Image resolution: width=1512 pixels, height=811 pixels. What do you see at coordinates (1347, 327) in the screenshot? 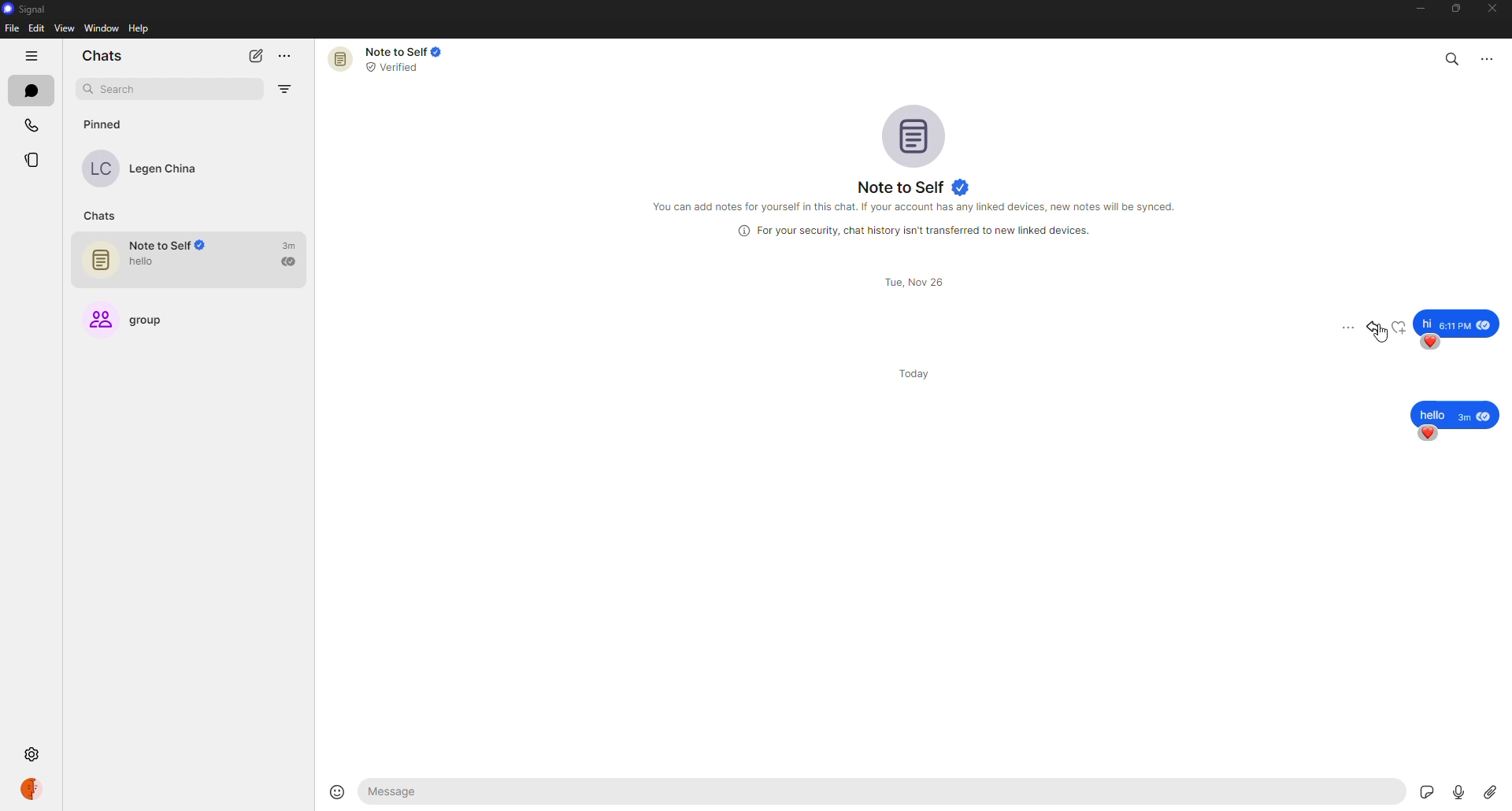
I see `more` at bounding box center [1347, 327].